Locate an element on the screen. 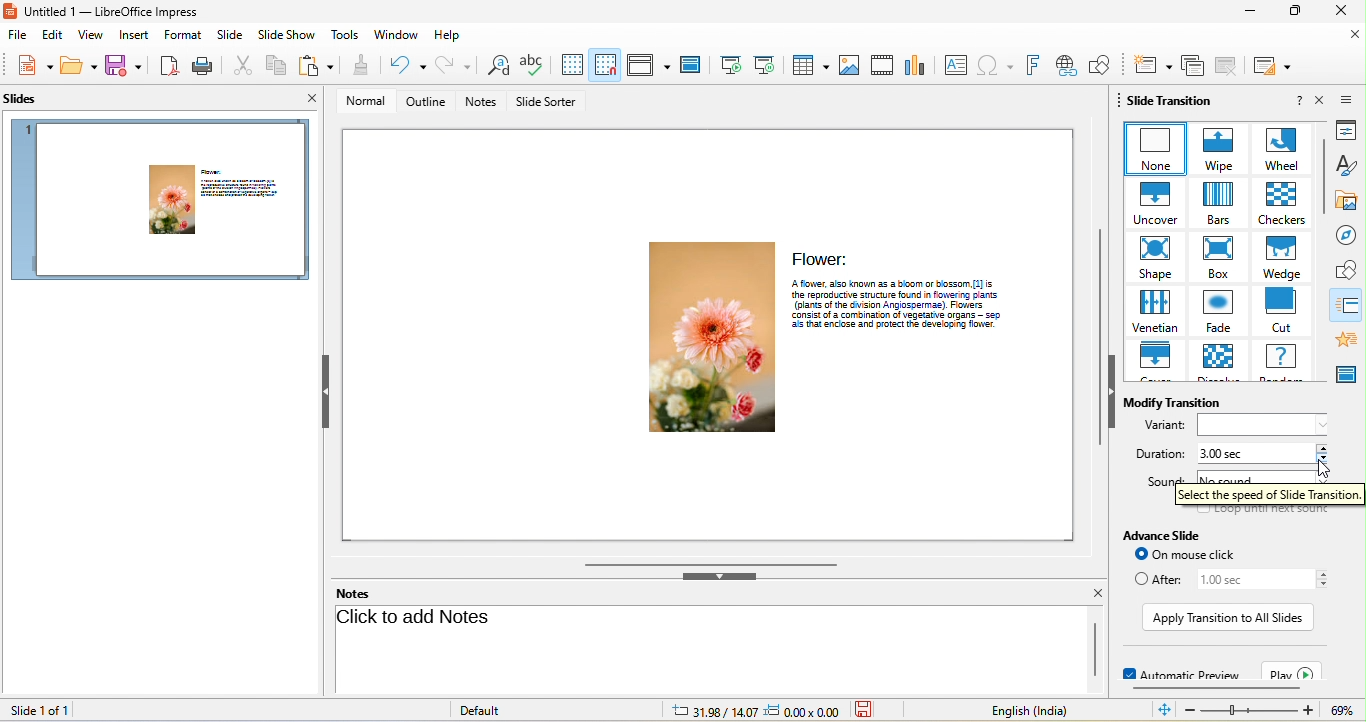  flower is located at coordinates (820, 257).